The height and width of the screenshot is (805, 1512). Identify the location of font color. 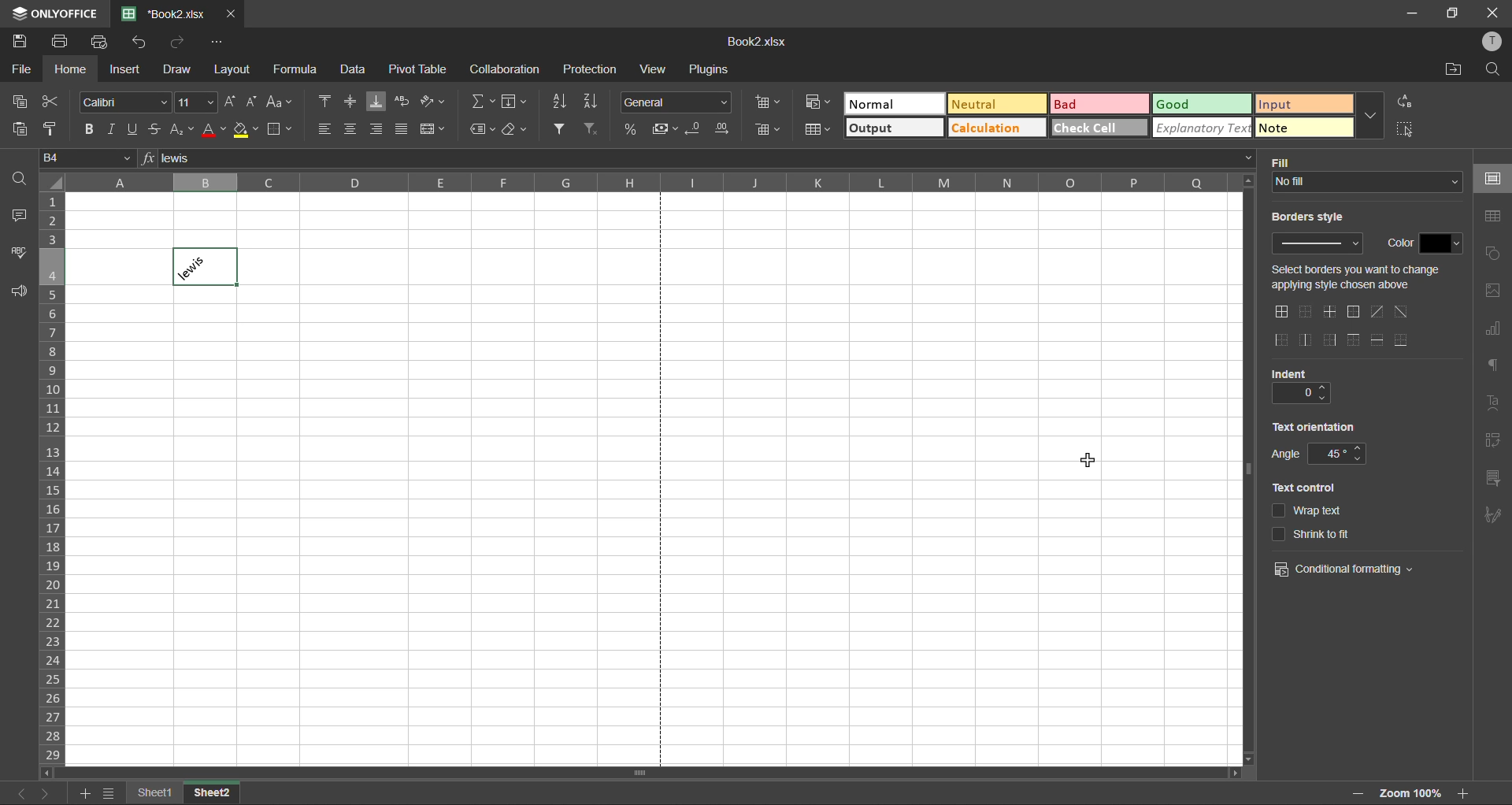
(213, 131).